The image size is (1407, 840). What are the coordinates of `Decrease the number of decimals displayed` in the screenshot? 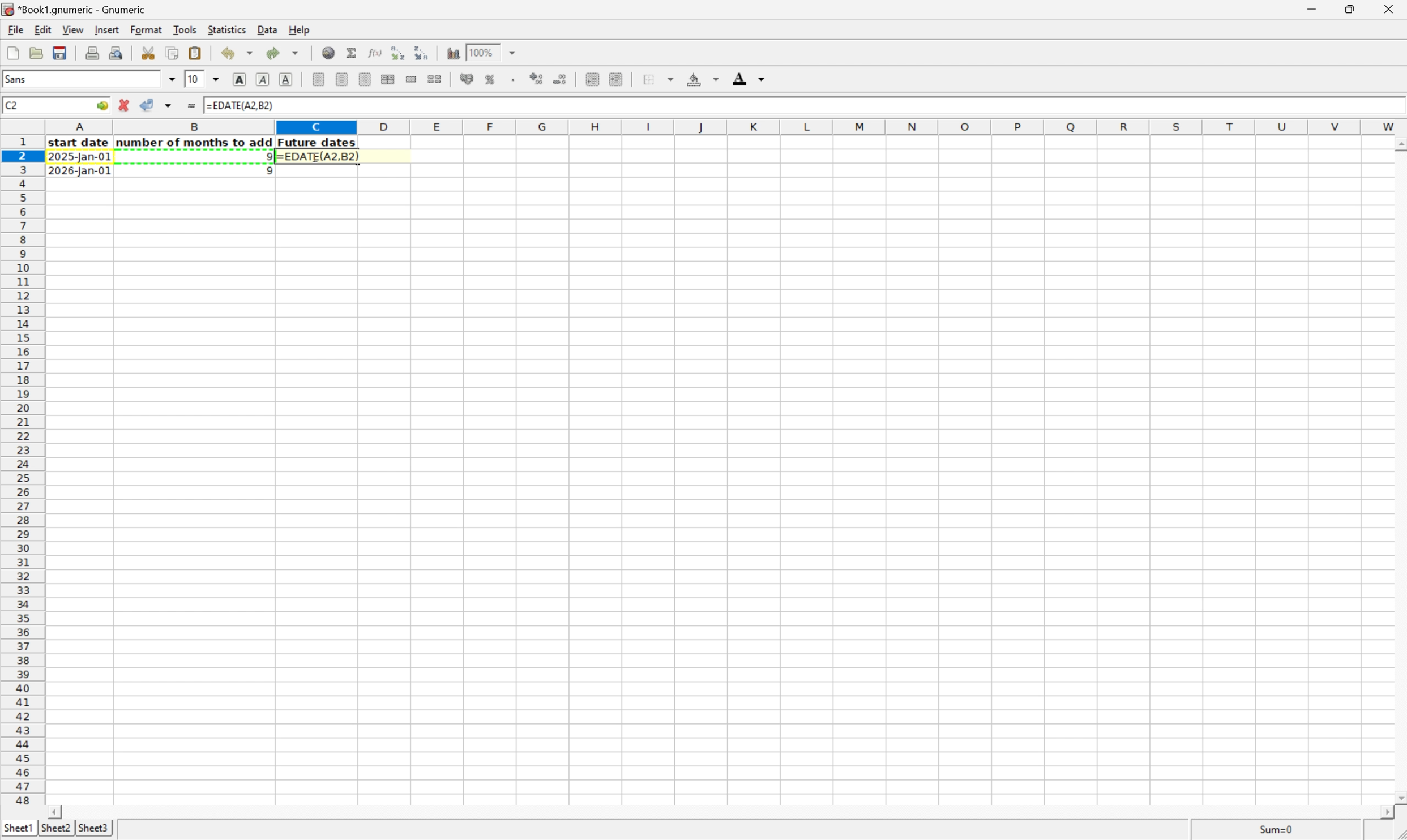 It's located at (561, 78).